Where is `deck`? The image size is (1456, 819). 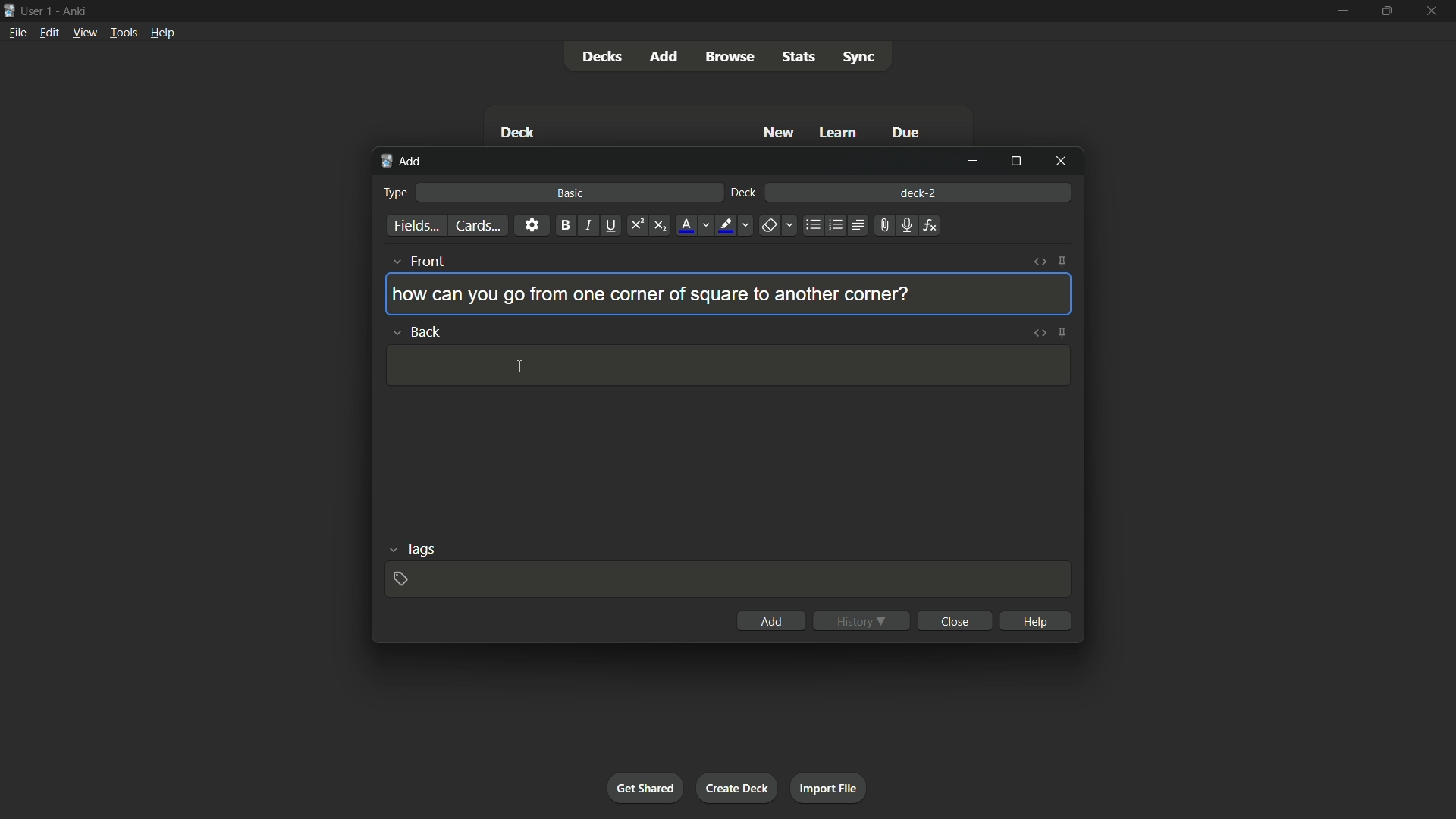
deck is located at coordinates (745, 193).